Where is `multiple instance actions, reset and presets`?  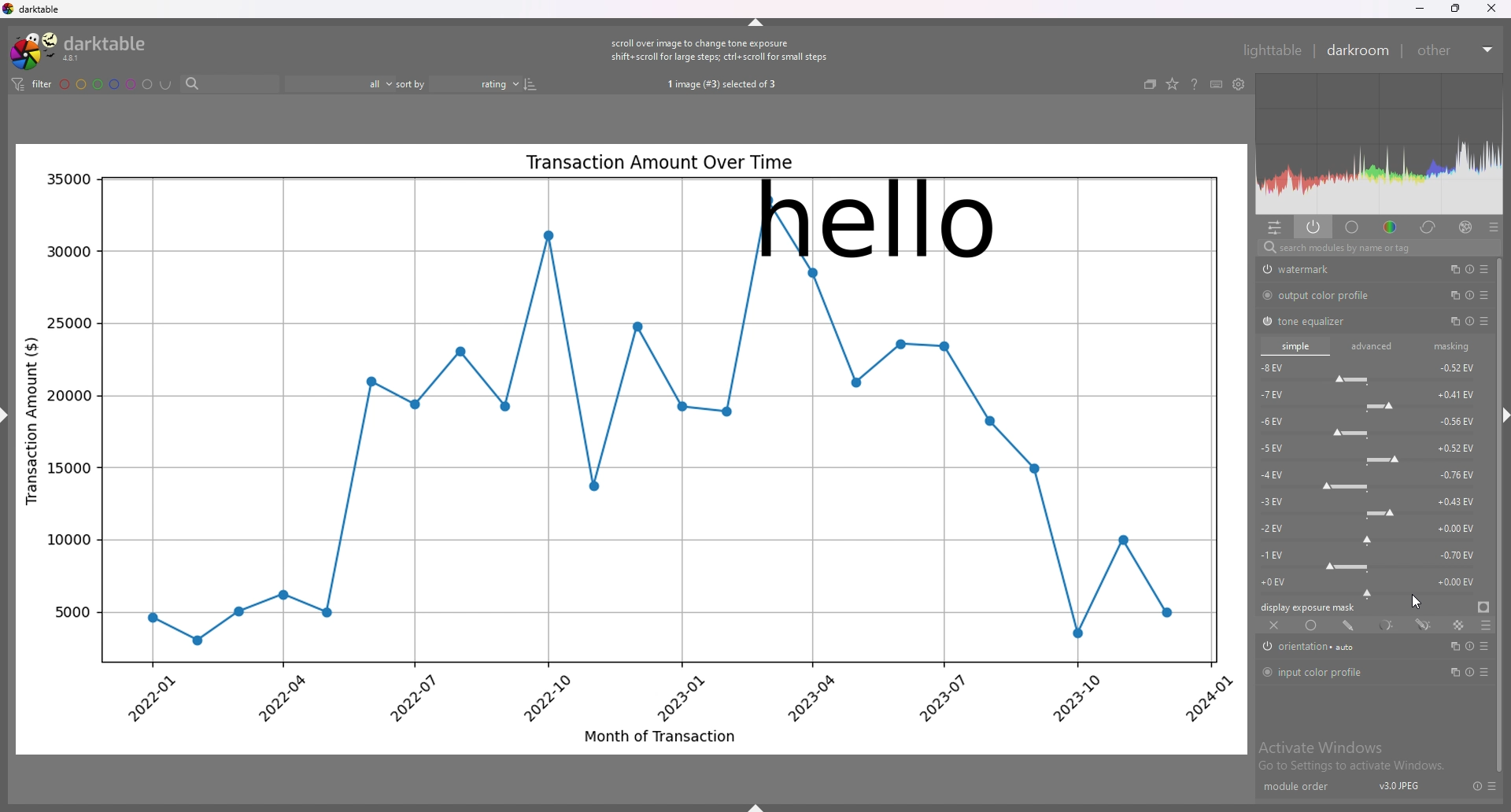 multiple instance actions, reset and presets is located at coordinates (1470, 297).